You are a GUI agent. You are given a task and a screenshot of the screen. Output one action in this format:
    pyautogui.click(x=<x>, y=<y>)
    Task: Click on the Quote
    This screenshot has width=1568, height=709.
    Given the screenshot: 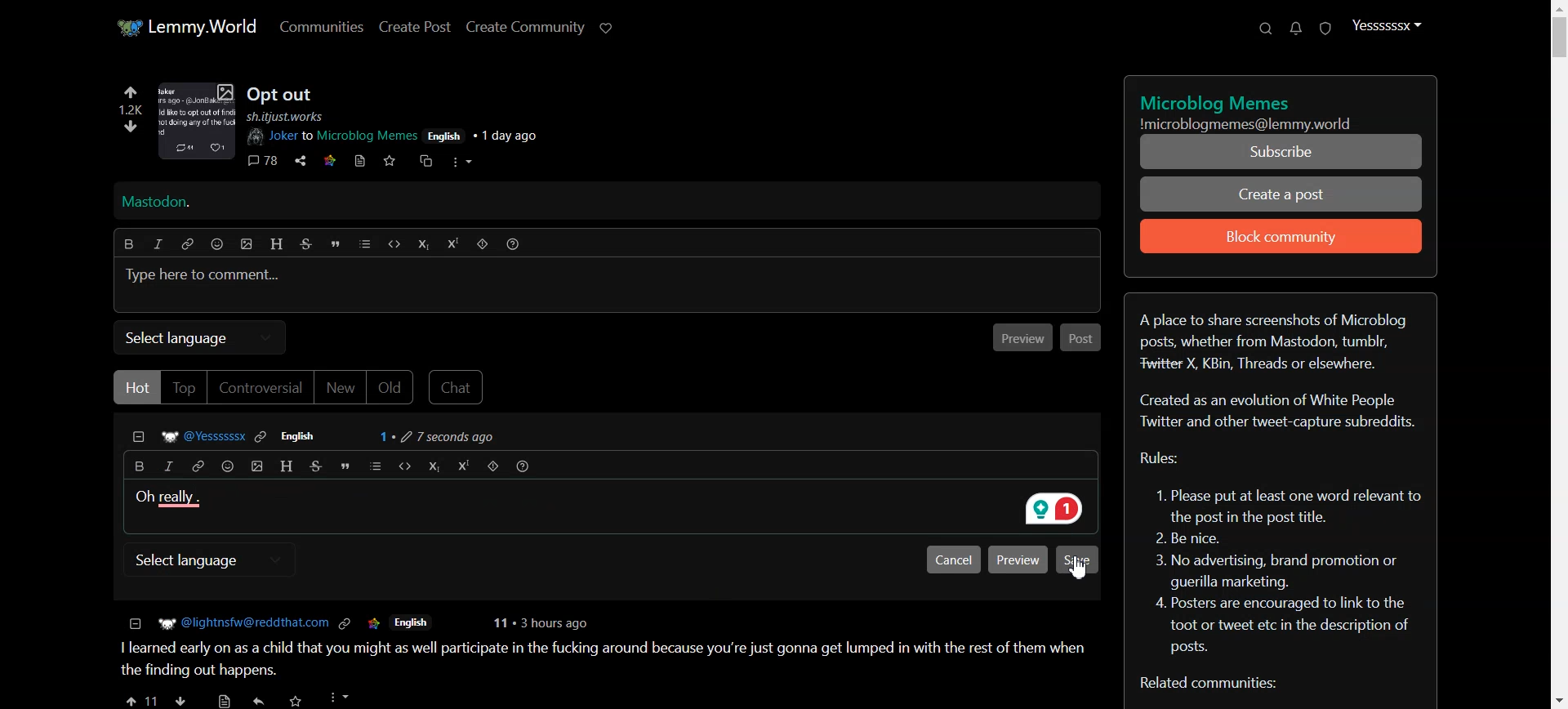 What is the action you would take?
    pyautogui.click(x=343, y=466)
    